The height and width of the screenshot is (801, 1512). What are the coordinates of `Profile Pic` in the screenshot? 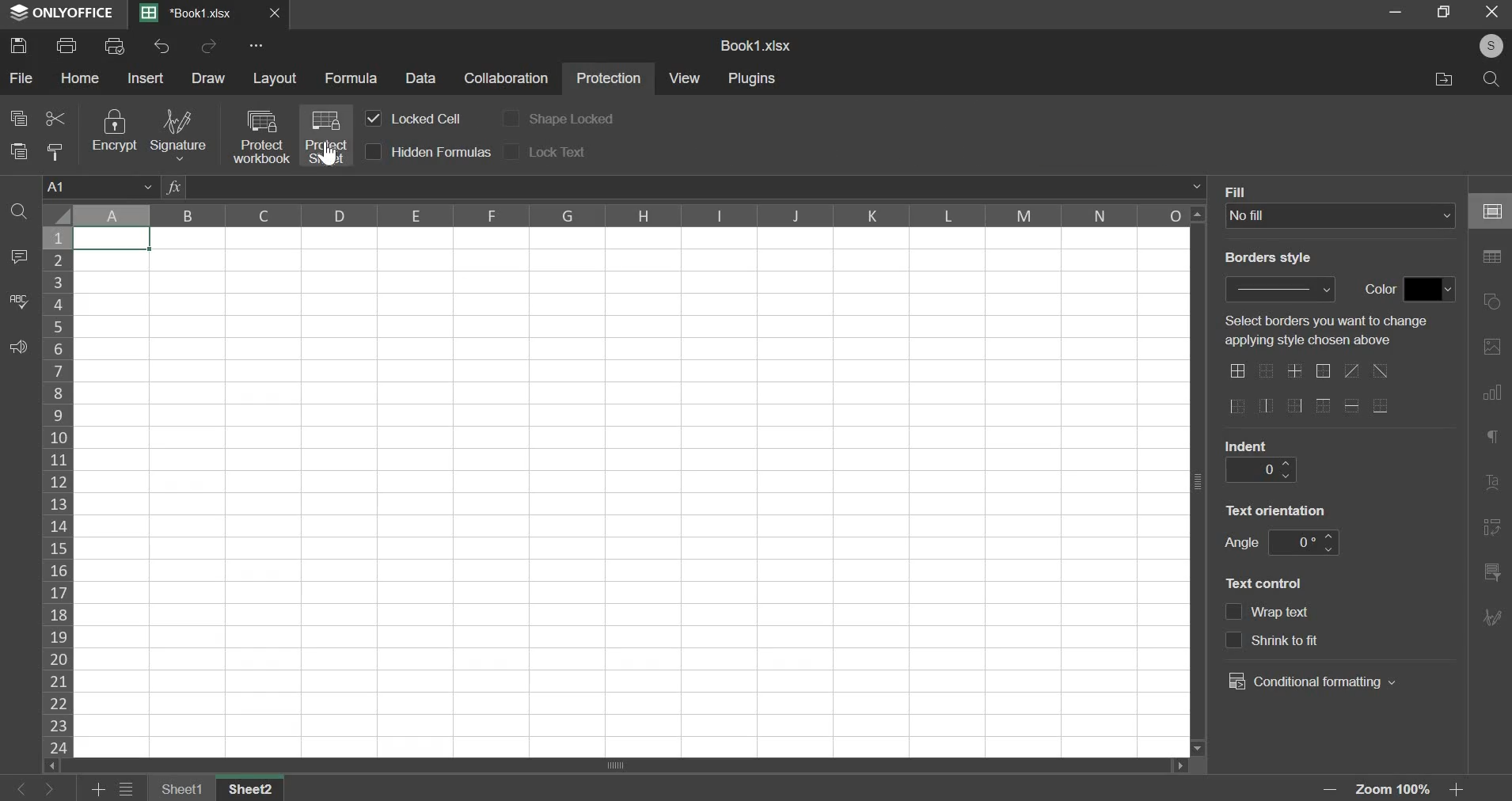 It's located at (1486, 47).